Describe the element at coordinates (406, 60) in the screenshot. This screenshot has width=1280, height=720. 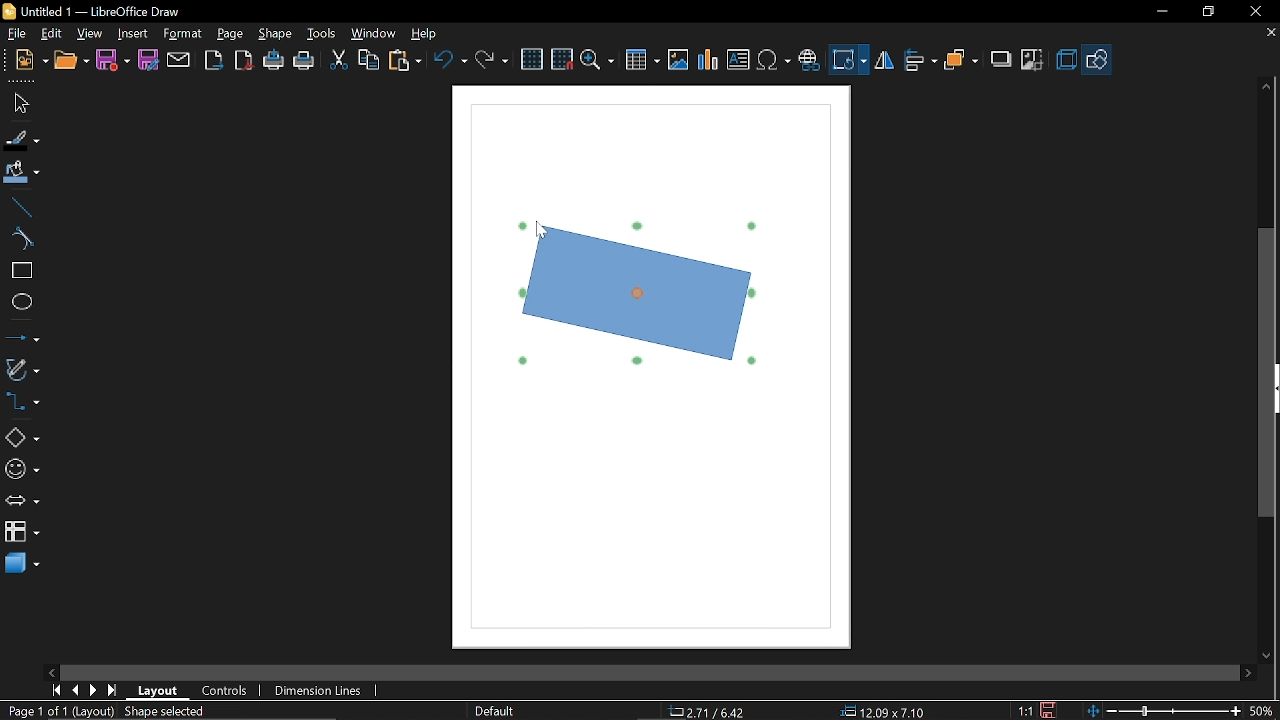
I see `paste` at that location.